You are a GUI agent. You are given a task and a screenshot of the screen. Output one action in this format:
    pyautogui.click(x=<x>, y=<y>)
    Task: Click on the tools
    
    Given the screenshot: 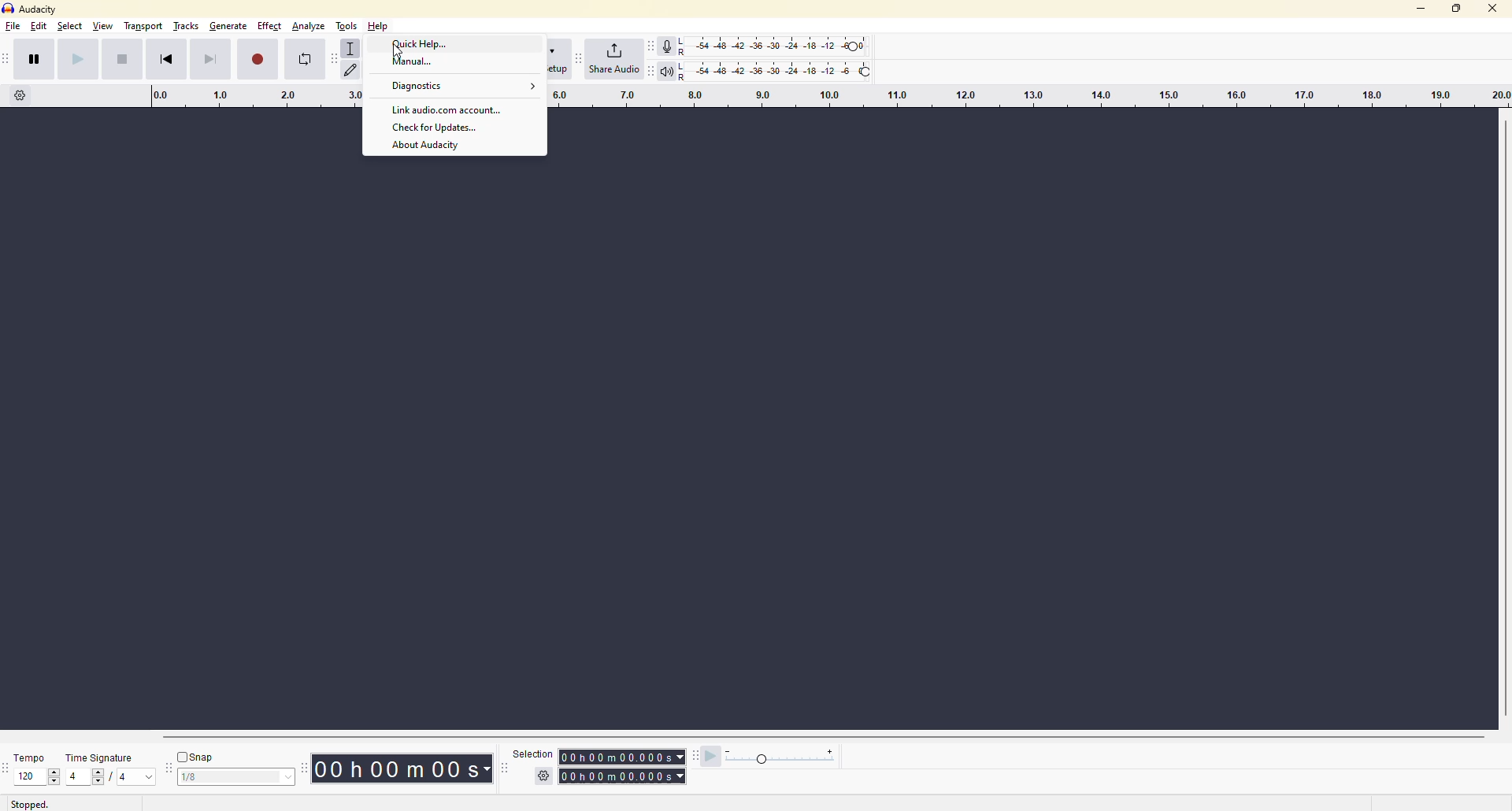 What is the action you would take?
    pyautogui.click(x=345, y=28)
    